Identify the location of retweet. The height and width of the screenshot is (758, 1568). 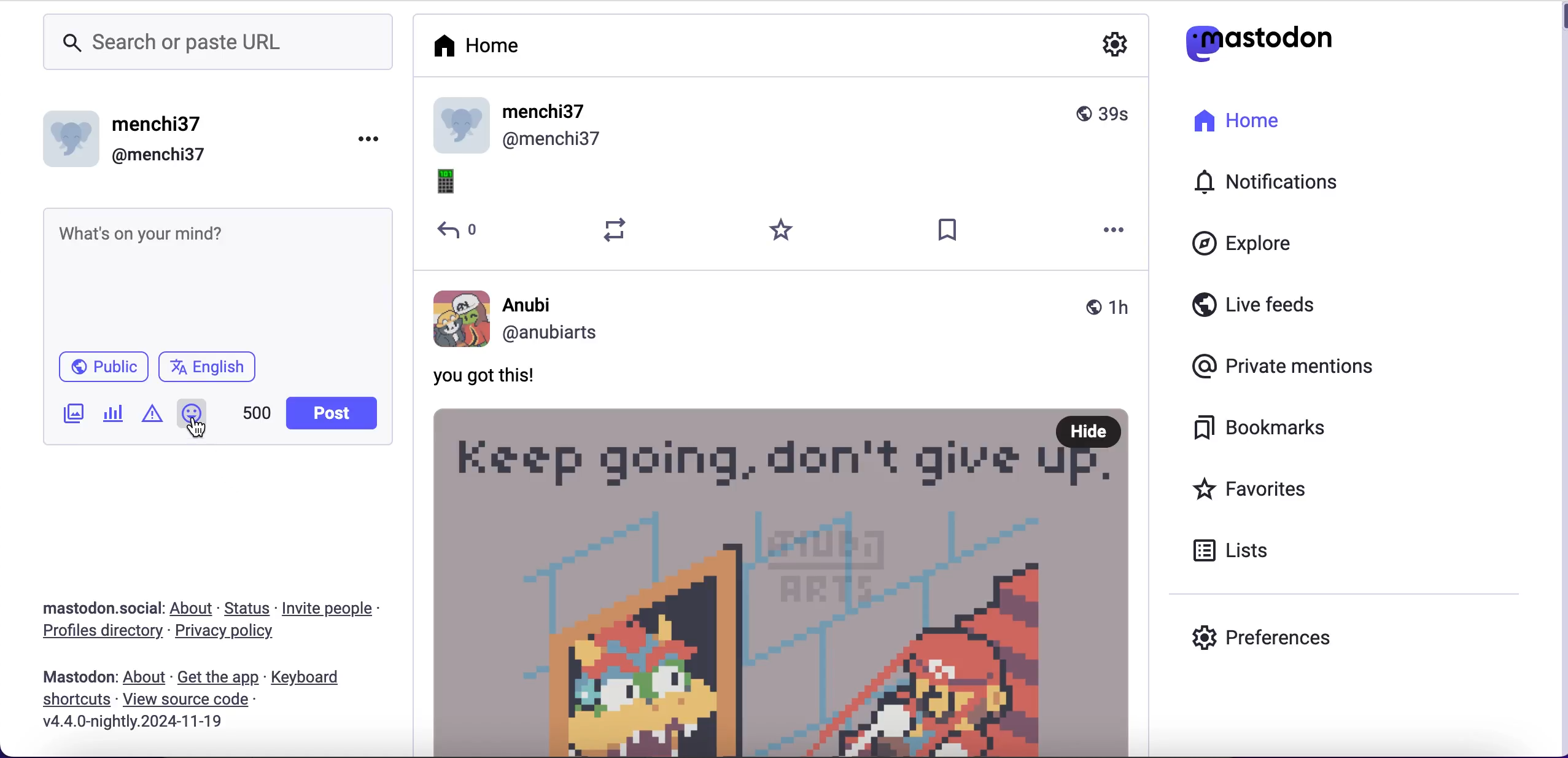
(616, 230).